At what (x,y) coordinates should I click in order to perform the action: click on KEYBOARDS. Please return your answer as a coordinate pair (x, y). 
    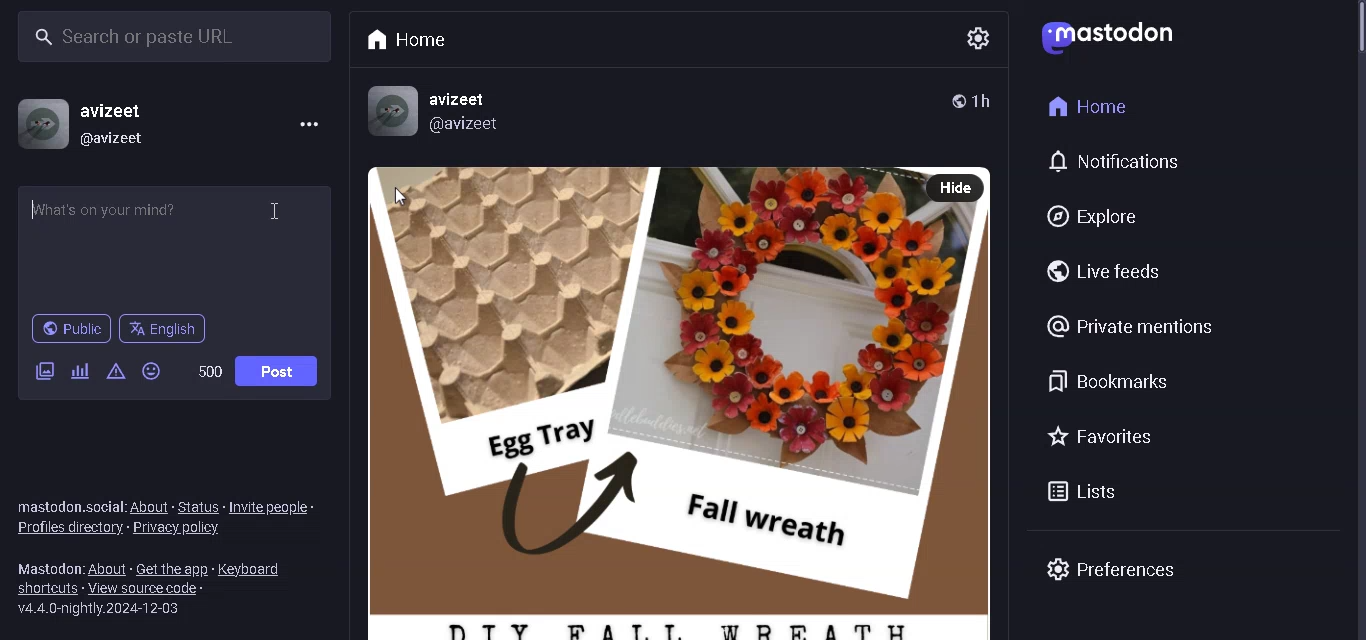
    Looking at the image, I should click on (251, 570).